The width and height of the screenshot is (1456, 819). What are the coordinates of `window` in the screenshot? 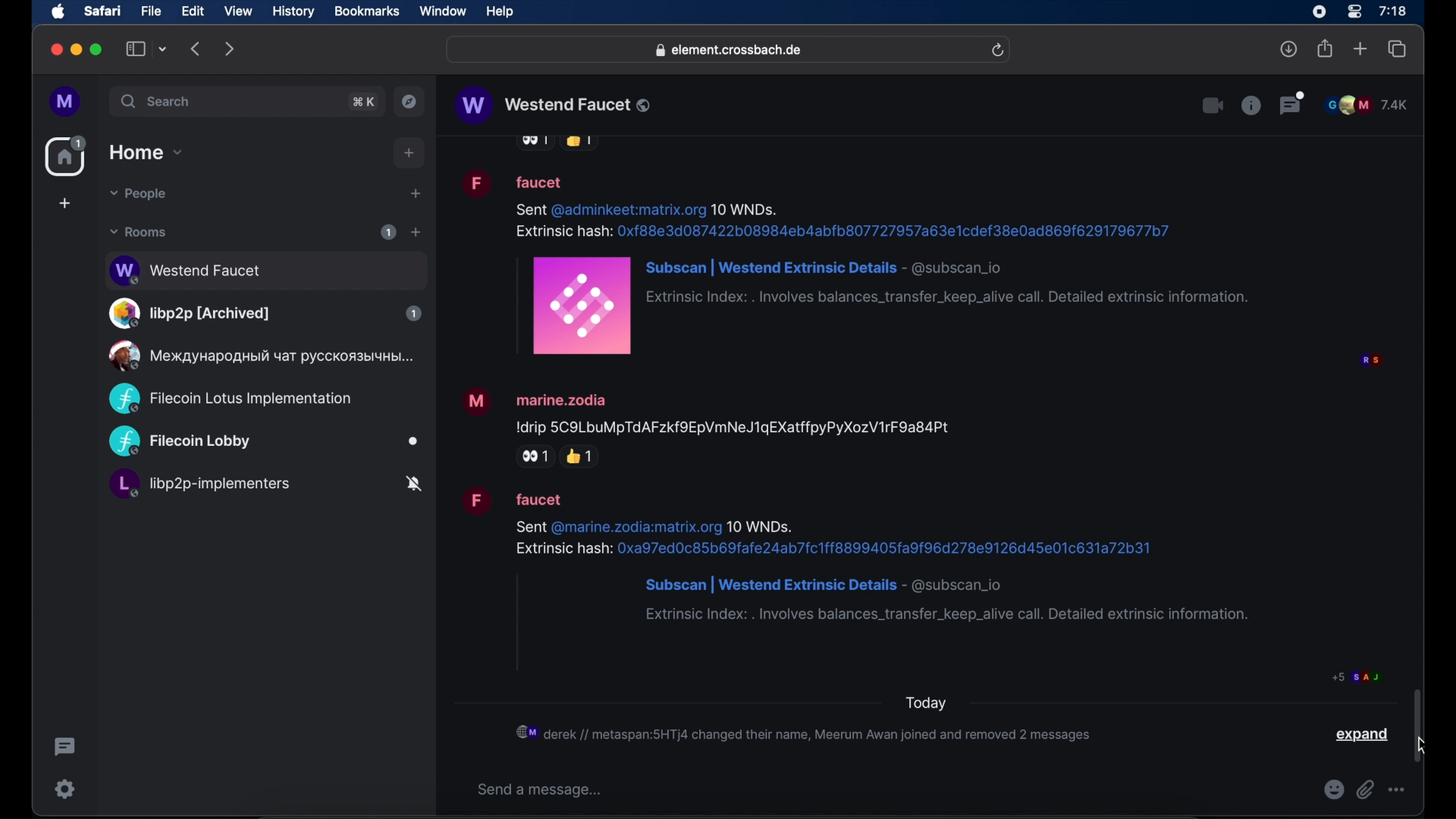 It's located at (443, 11).